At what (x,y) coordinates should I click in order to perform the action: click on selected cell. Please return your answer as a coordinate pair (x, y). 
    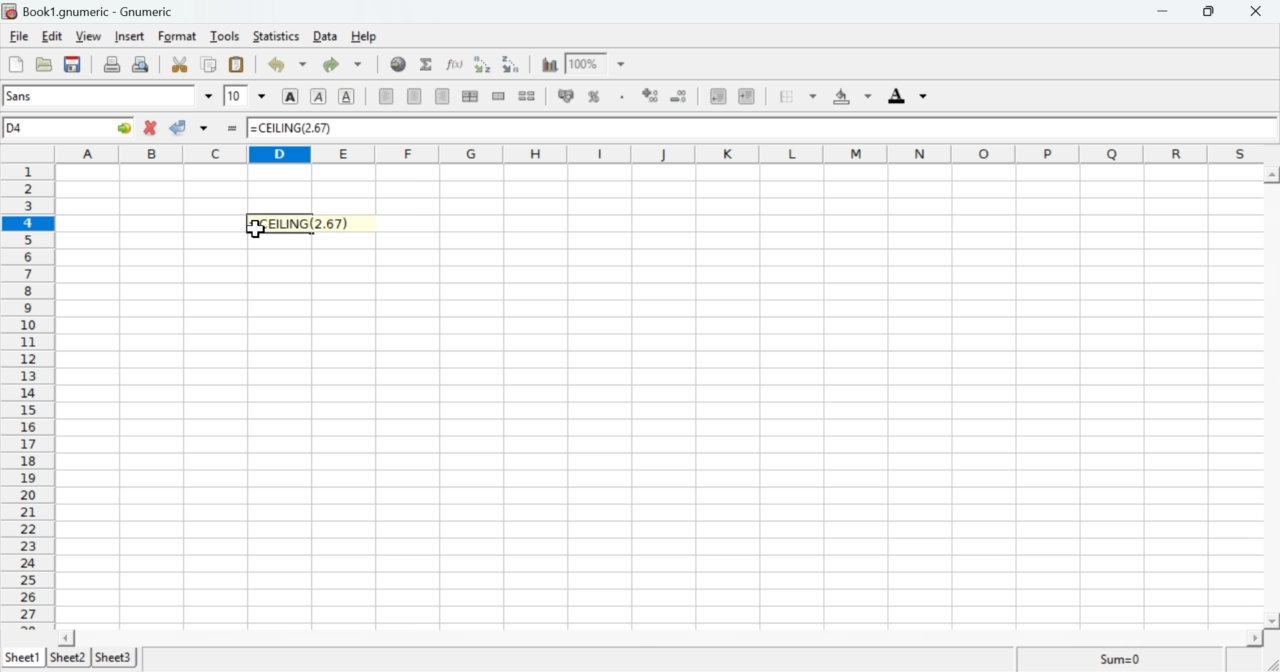
    Looking at the image, I should click on (304, 224).